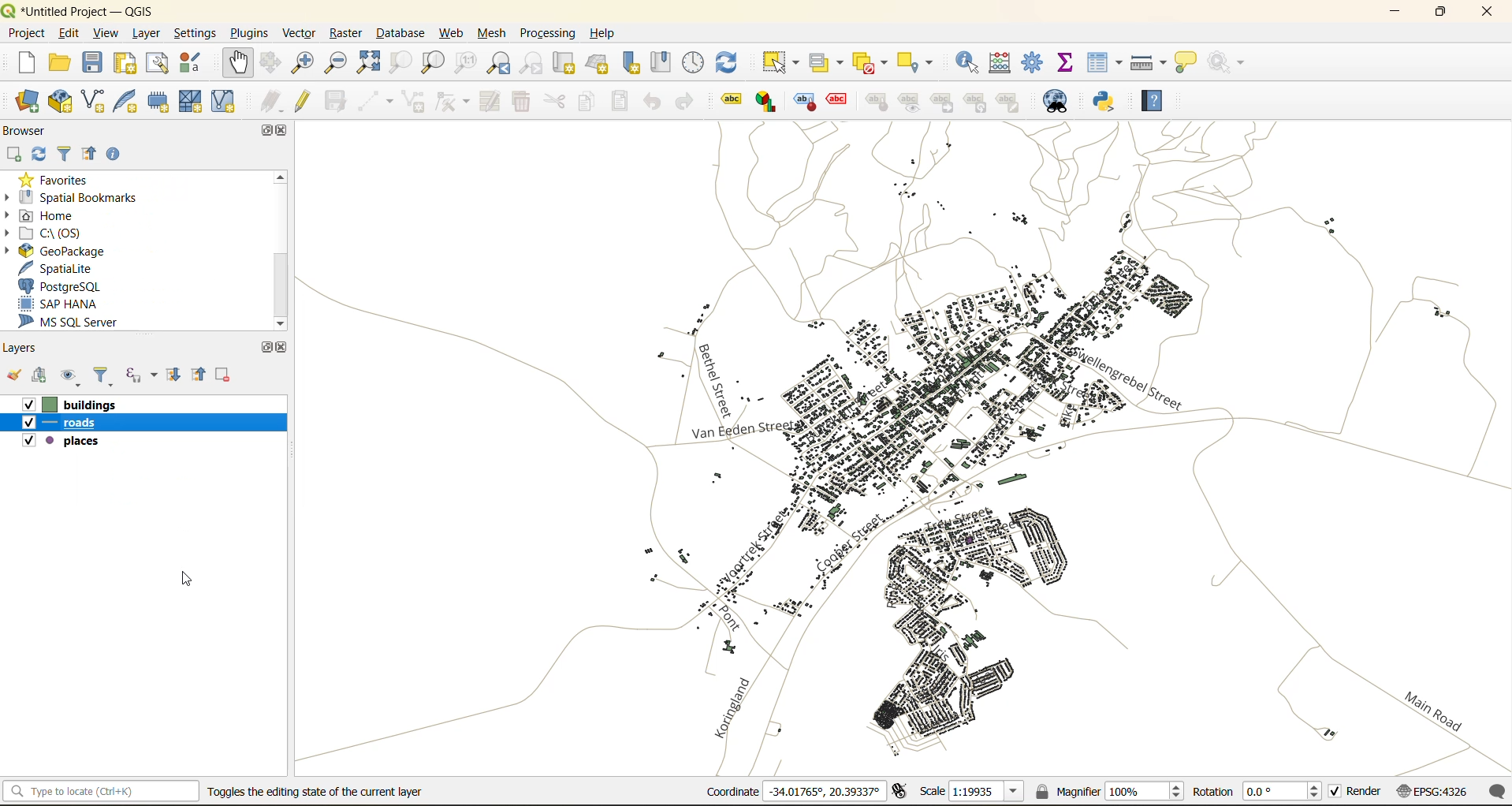 This screenshot has width=1512, height=806. Describe the element at coordinates (336, 102) in the screenshot. I see `save edits` at that location.